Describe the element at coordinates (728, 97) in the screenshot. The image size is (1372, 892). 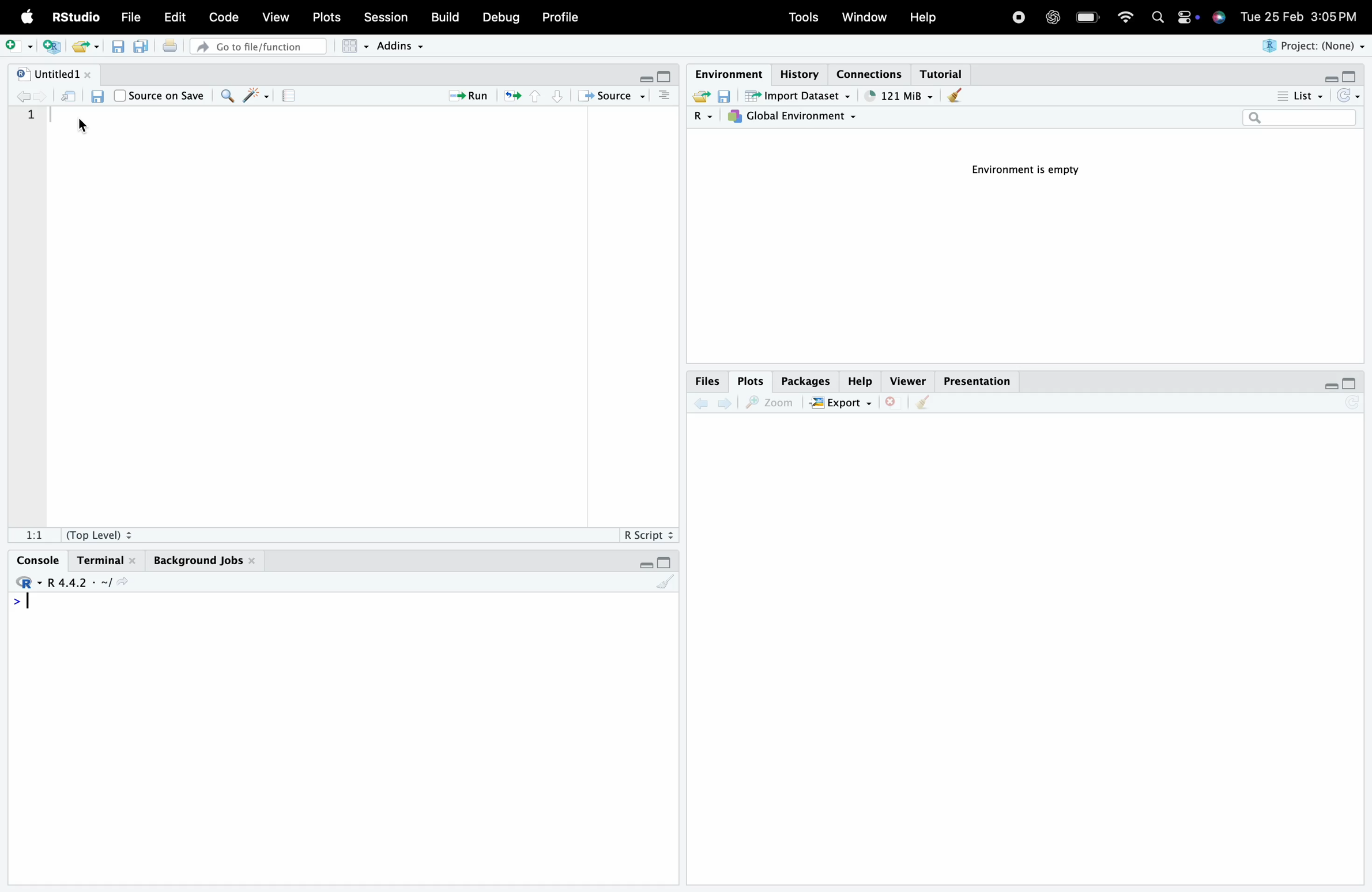
I see `Save workspace as` at that location.